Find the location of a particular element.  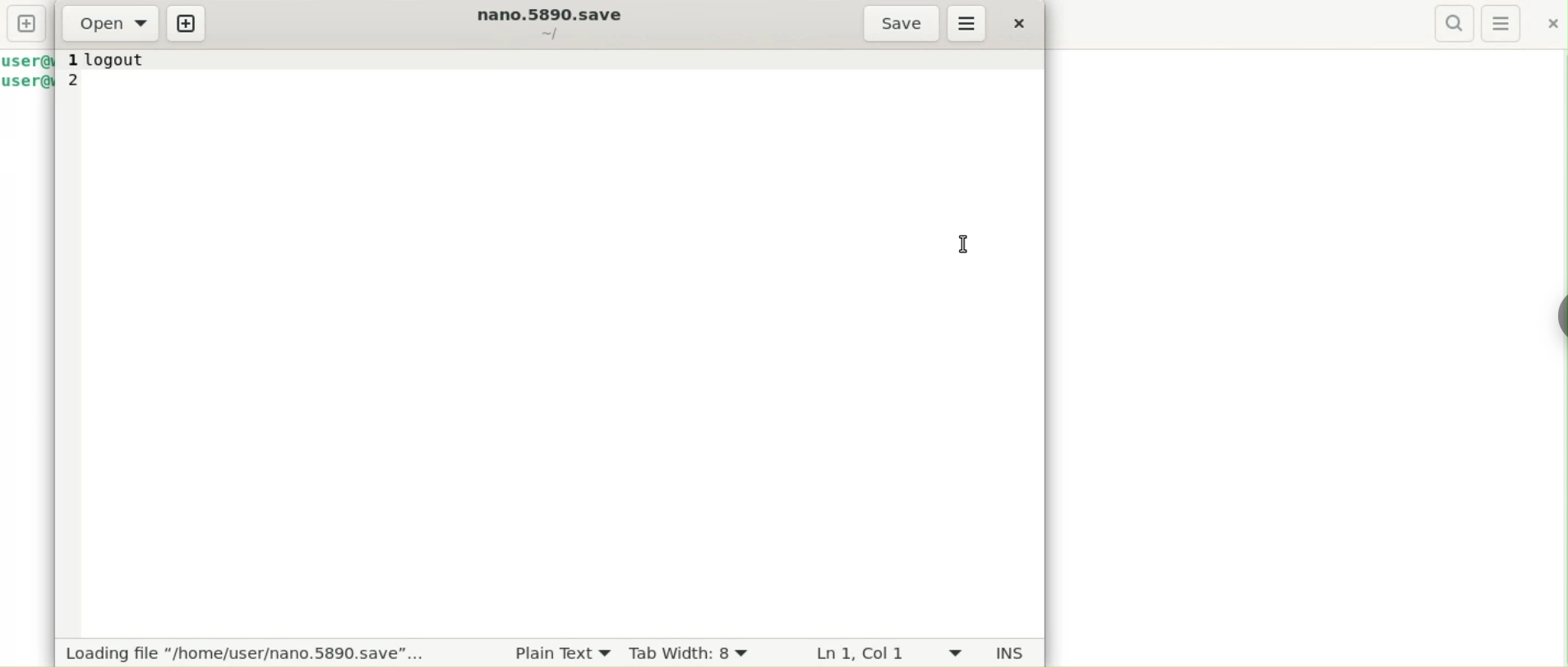

Plain Text is located at coordinates (546, 653).